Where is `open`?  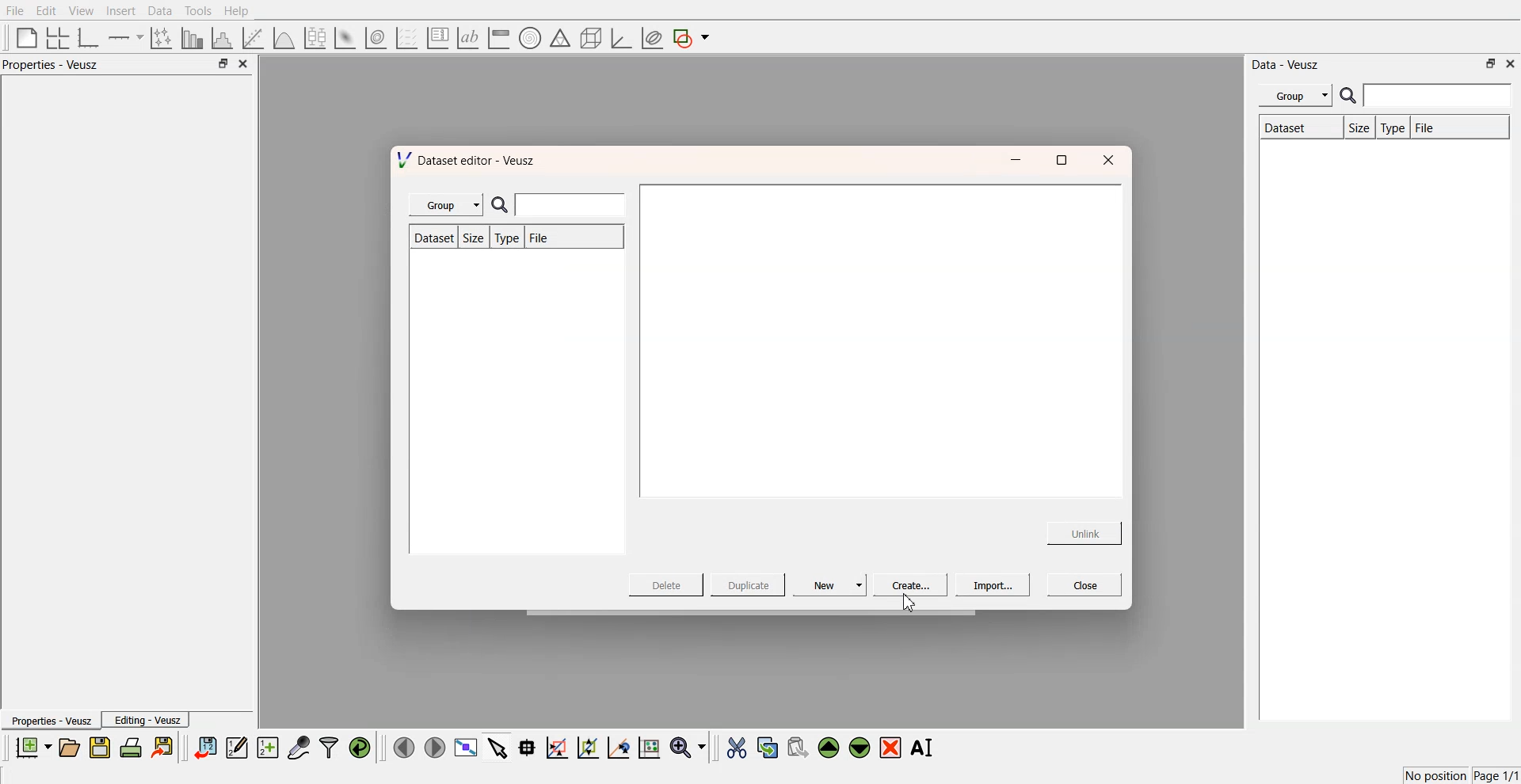
open is located at coordinates (69, 748).